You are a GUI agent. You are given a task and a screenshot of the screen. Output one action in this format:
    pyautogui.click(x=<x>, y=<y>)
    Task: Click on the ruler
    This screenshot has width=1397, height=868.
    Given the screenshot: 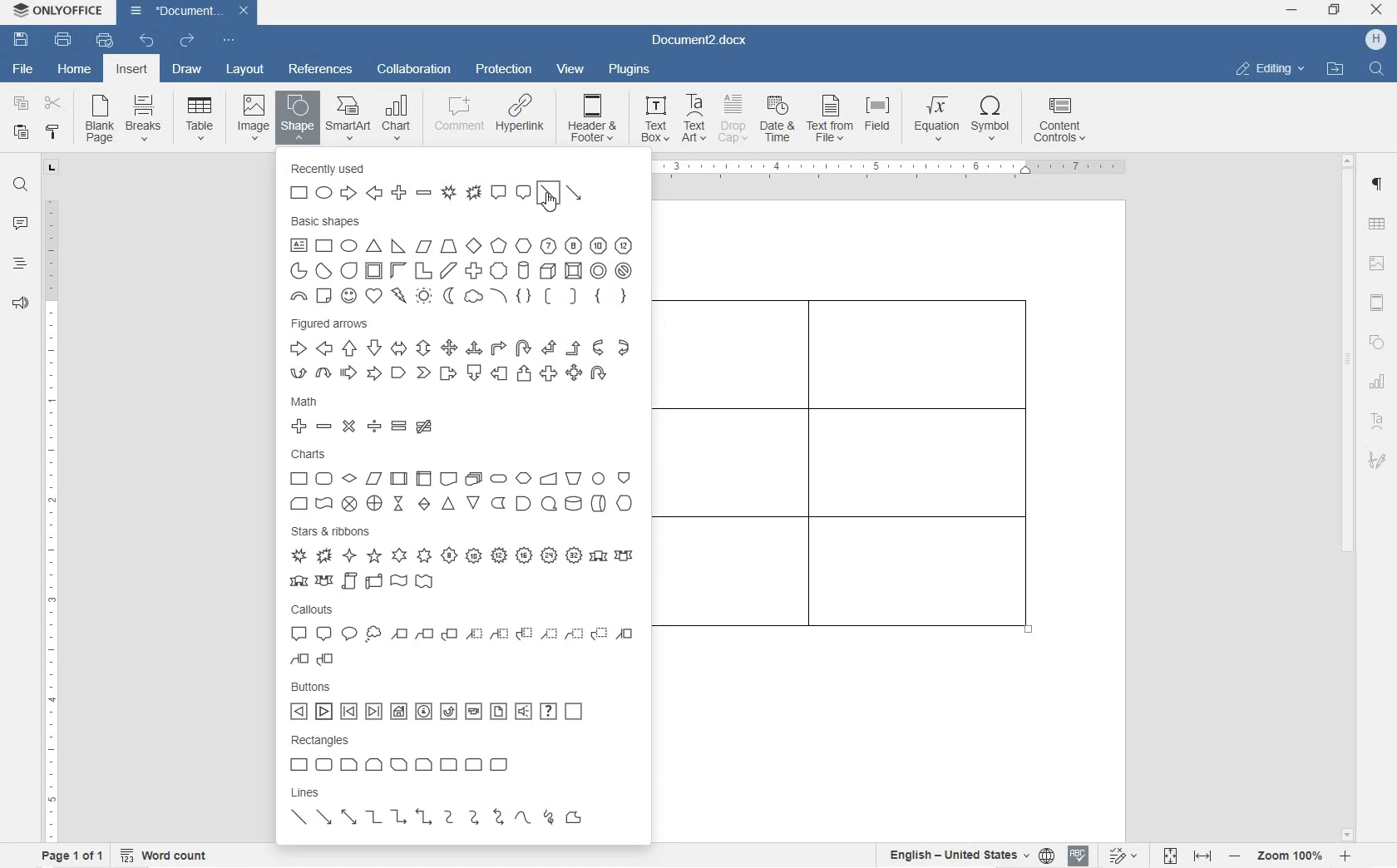 What is the action you would take?
    pyautogui.click(x=51, y=515)
    